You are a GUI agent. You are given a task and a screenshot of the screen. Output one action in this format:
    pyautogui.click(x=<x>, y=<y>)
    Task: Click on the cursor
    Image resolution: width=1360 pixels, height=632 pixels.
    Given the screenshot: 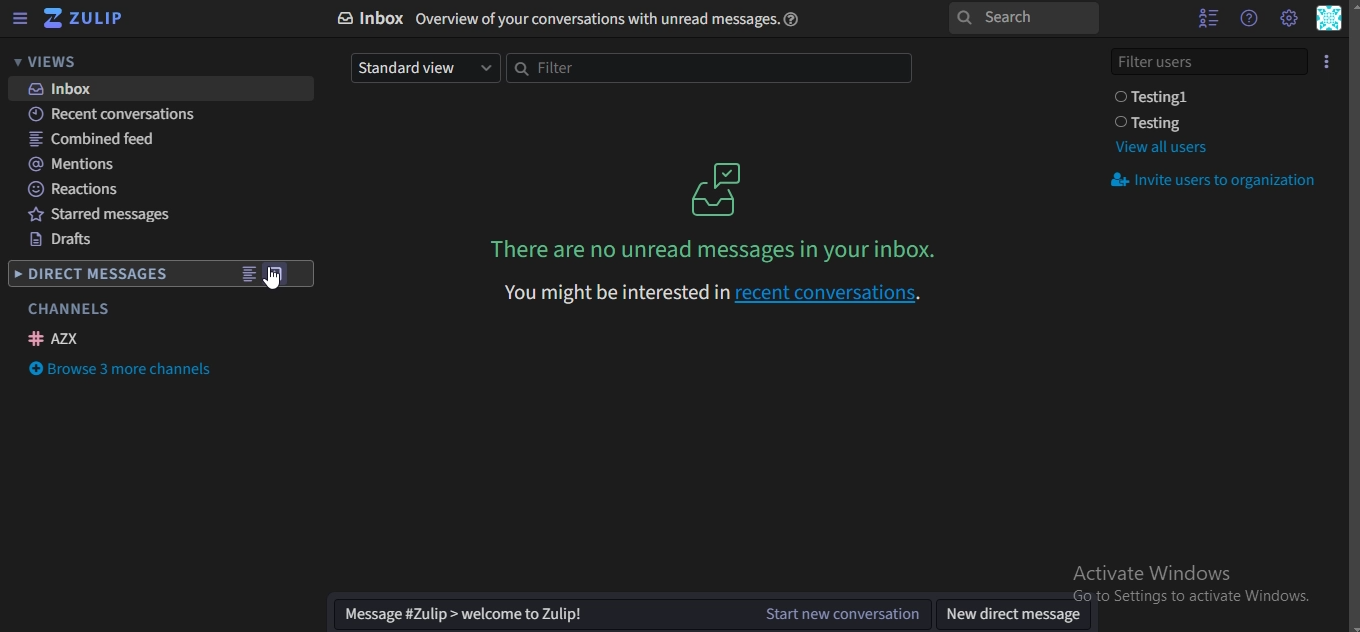 What is the action you would take?
    pyautogui.click(x=278, y=289)
    